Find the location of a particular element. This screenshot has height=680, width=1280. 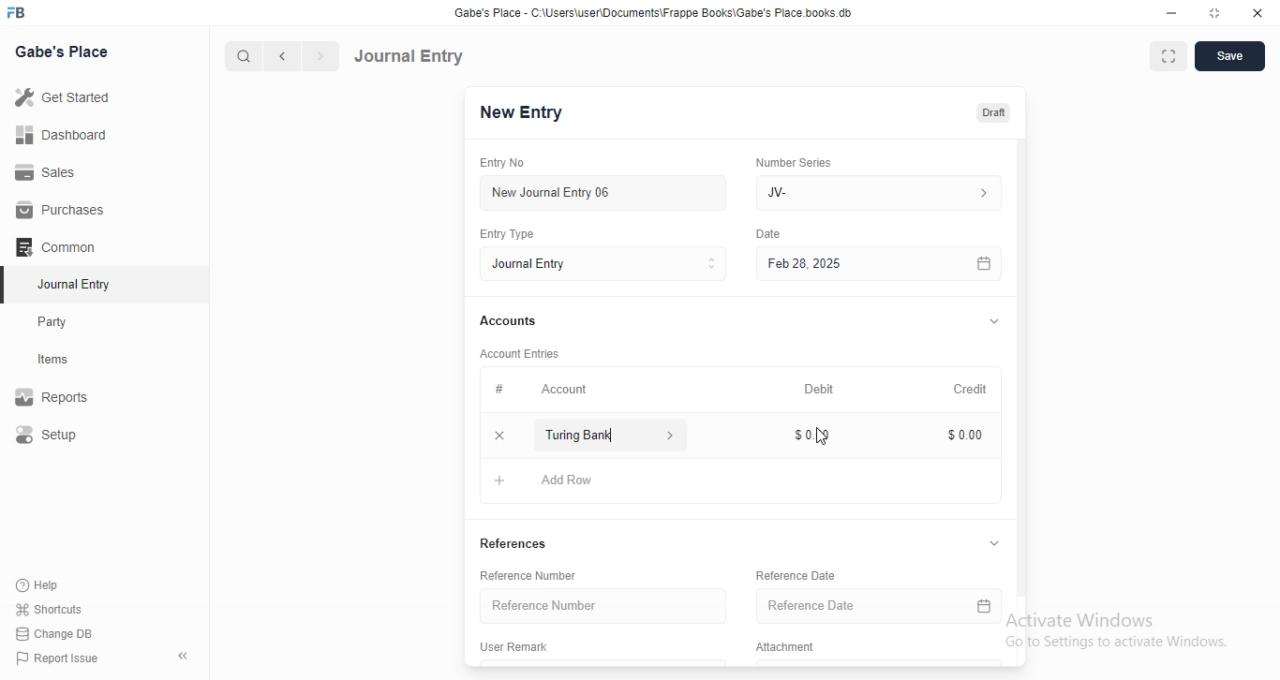

Credit is located at coordinates (970, 389).